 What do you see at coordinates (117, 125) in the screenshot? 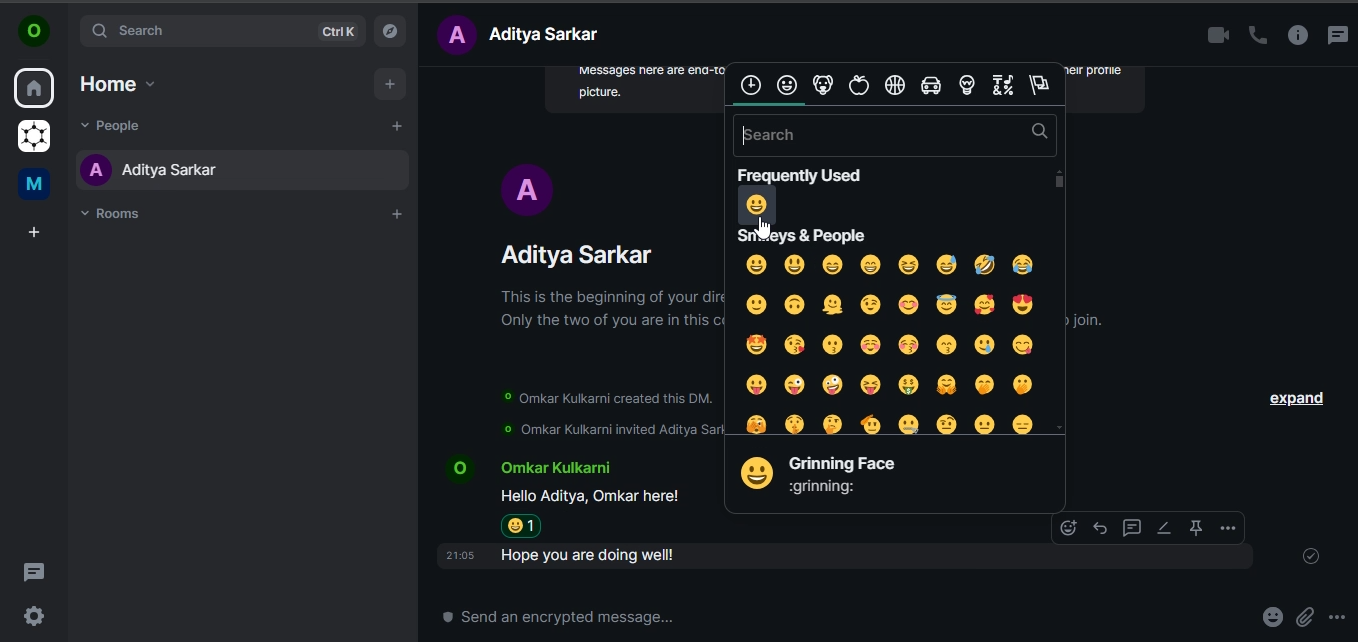
I see `people` at bounding box center [117, 125].